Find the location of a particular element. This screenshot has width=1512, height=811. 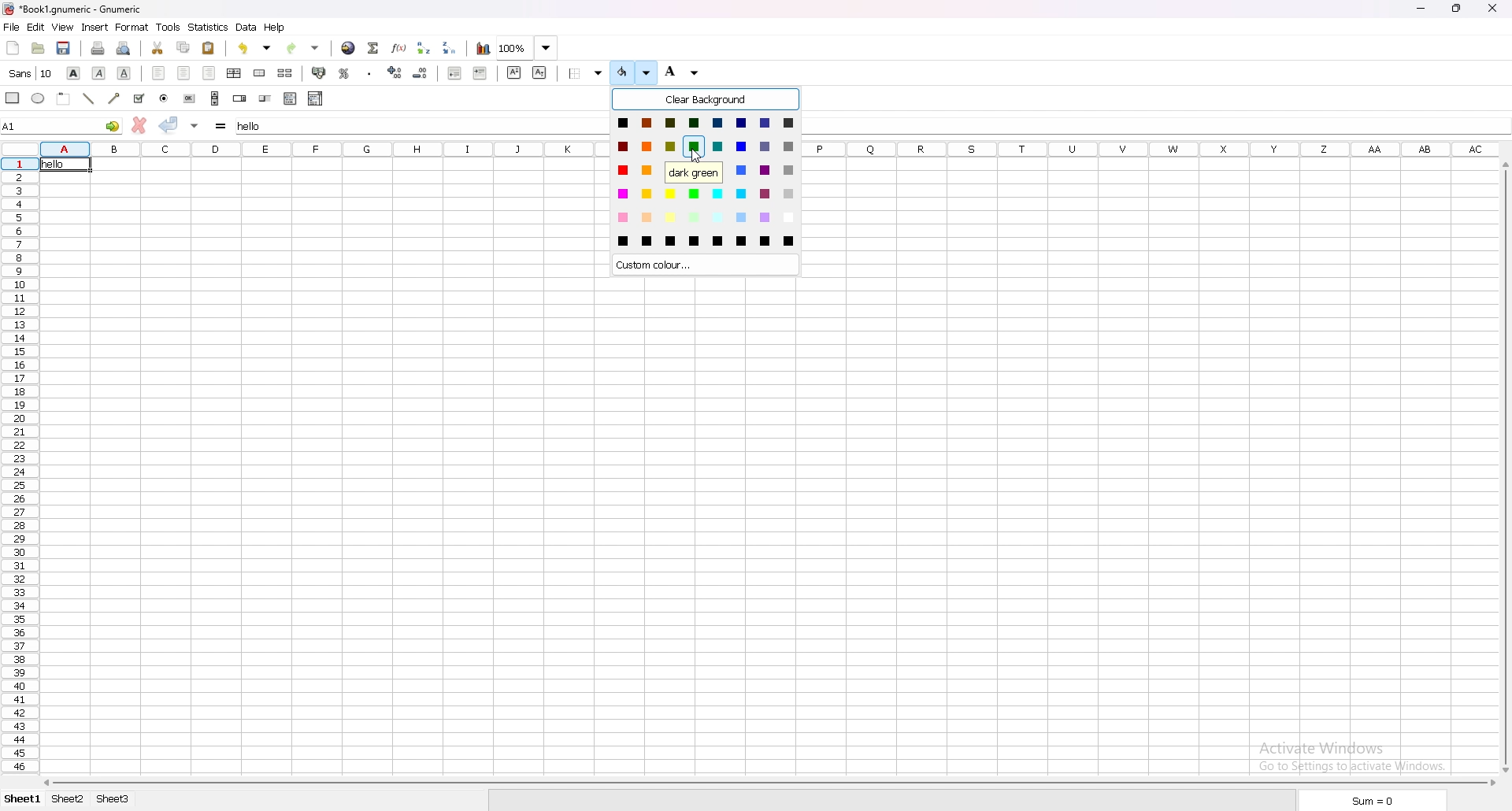

thousands separator is located at coordinates (369, 73).